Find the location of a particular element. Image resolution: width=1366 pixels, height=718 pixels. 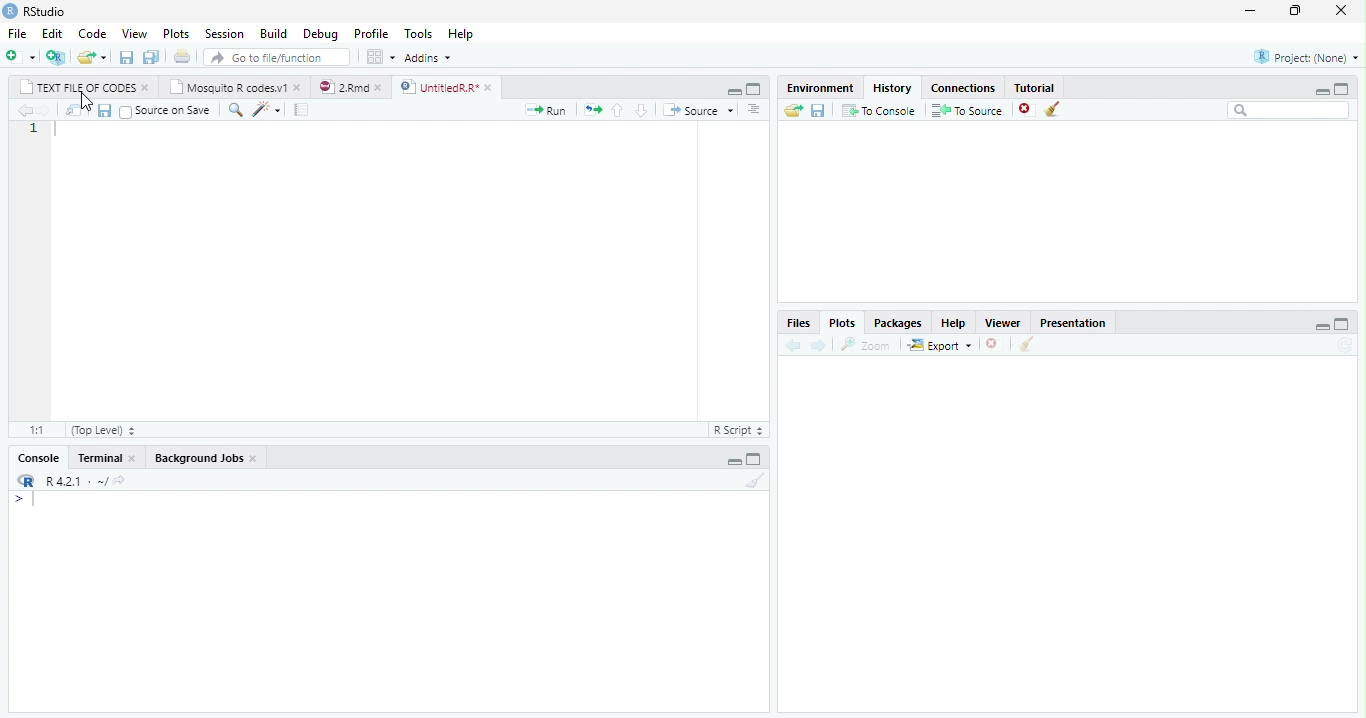

minimize is located at coordinates (1323, 89).